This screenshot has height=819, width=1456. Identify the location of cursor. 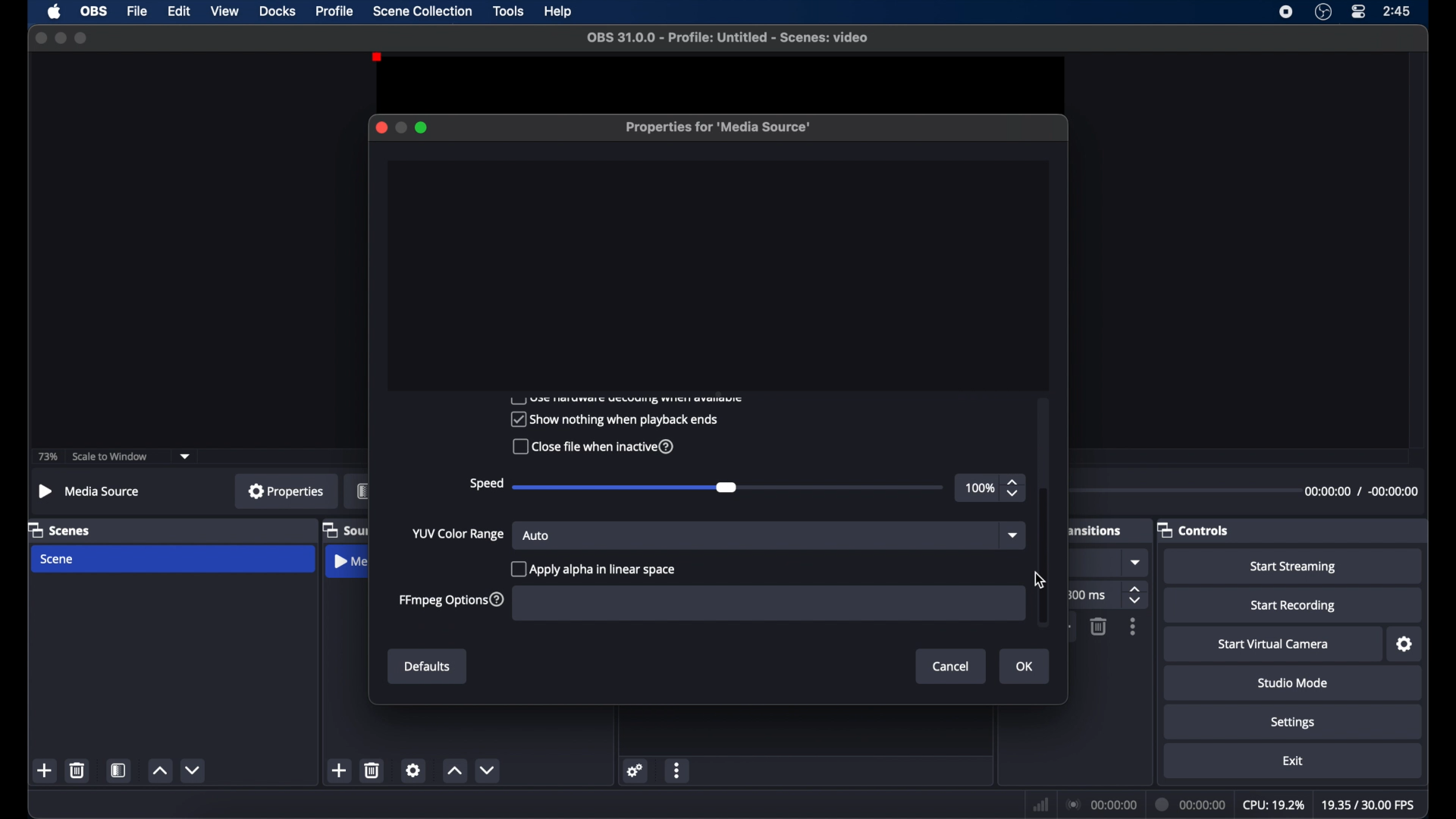
(1039, 580).